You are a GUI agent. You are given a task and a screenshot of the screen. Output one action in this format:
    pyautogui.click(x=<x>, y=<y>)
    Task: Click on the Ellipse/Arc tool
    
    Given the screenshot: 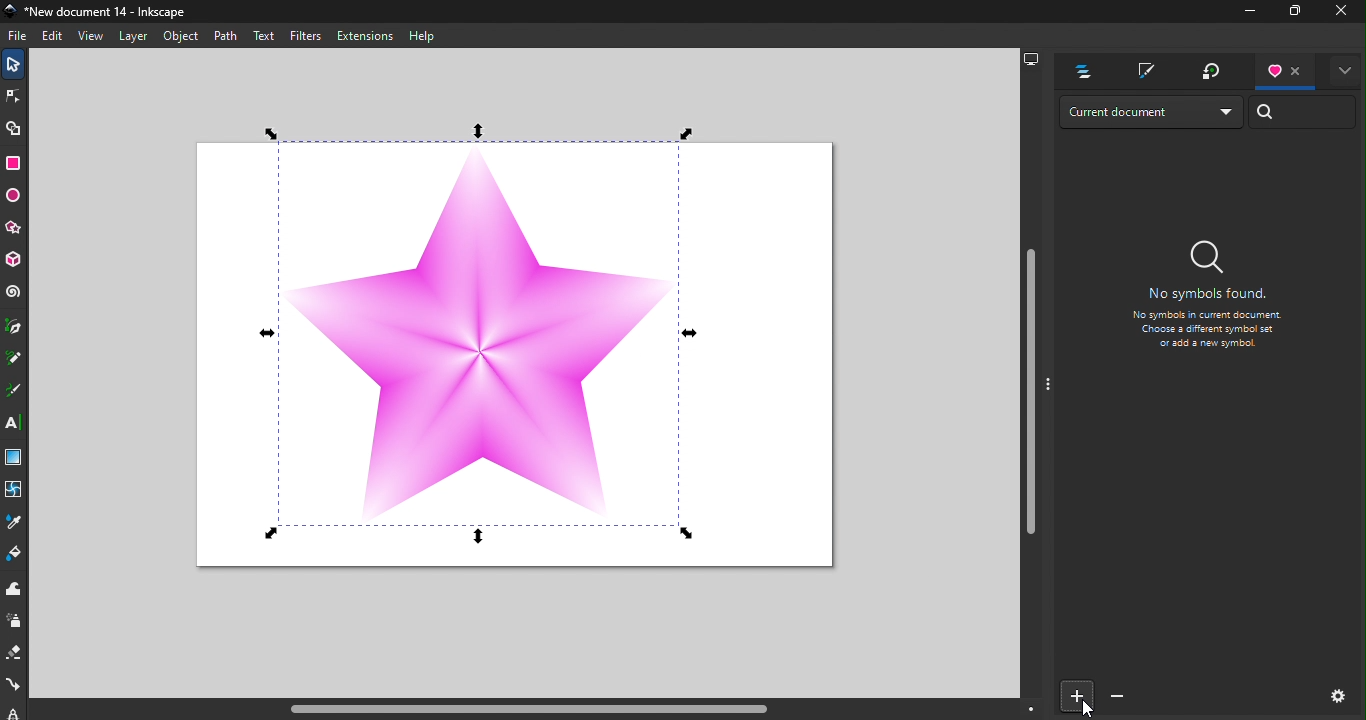 What is the action you would take?
    pyautogui.click(x=15, y=199)
    